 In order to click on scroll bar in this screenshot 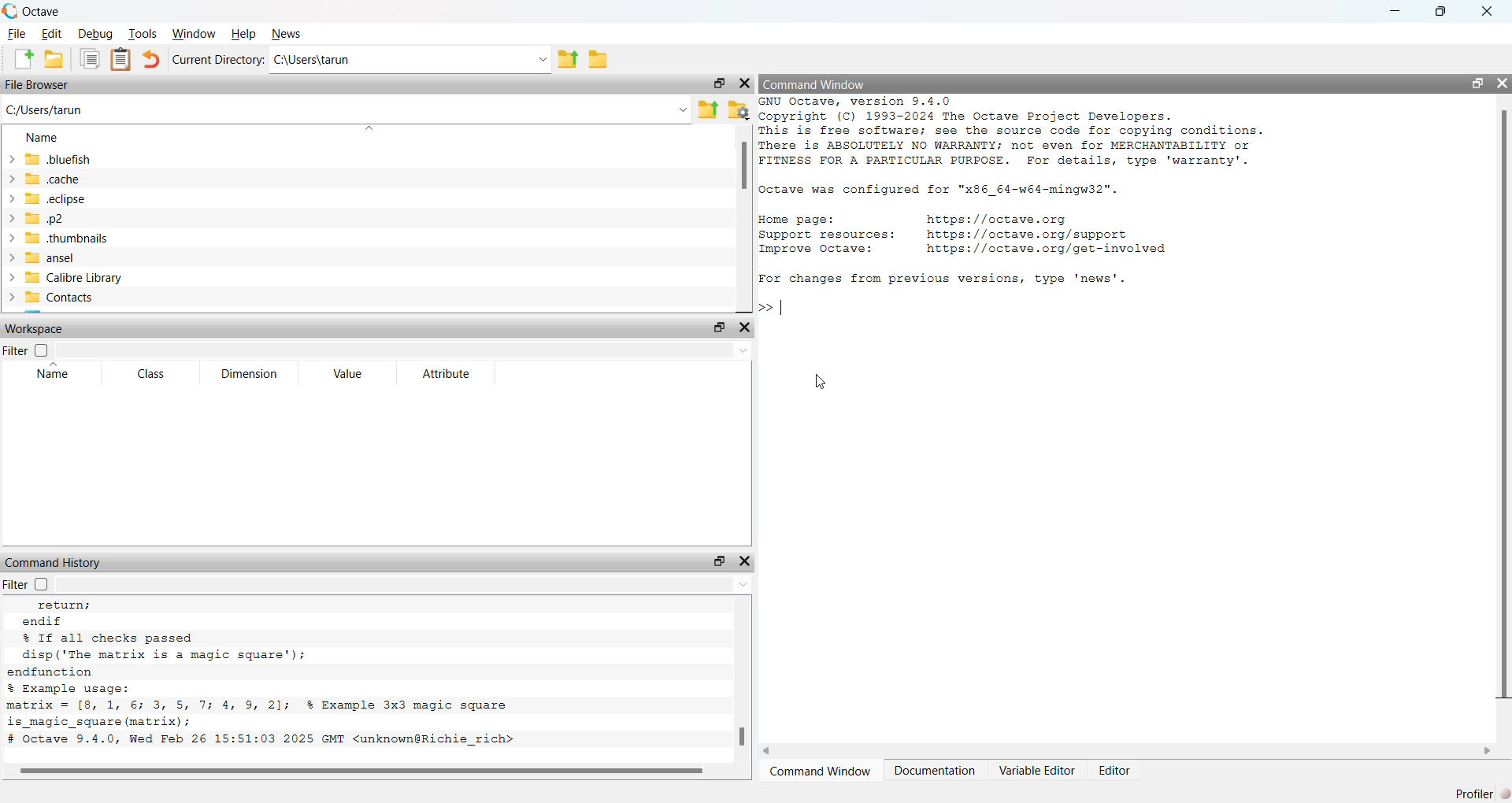, I will do `click(743, 736)`.